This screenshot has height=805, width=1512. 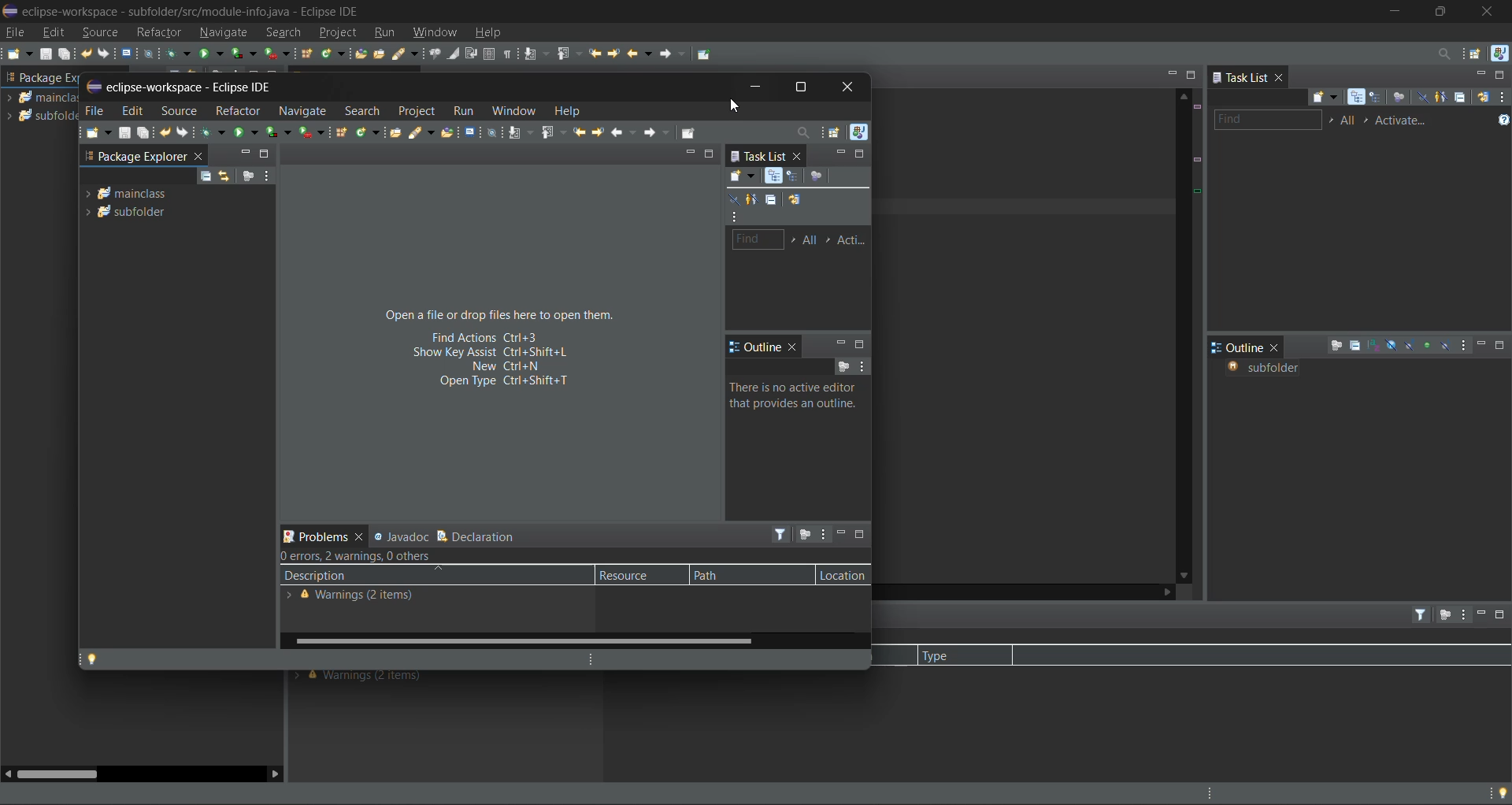 I want to click on hide completed tasks, so click(x=1423, y=98).